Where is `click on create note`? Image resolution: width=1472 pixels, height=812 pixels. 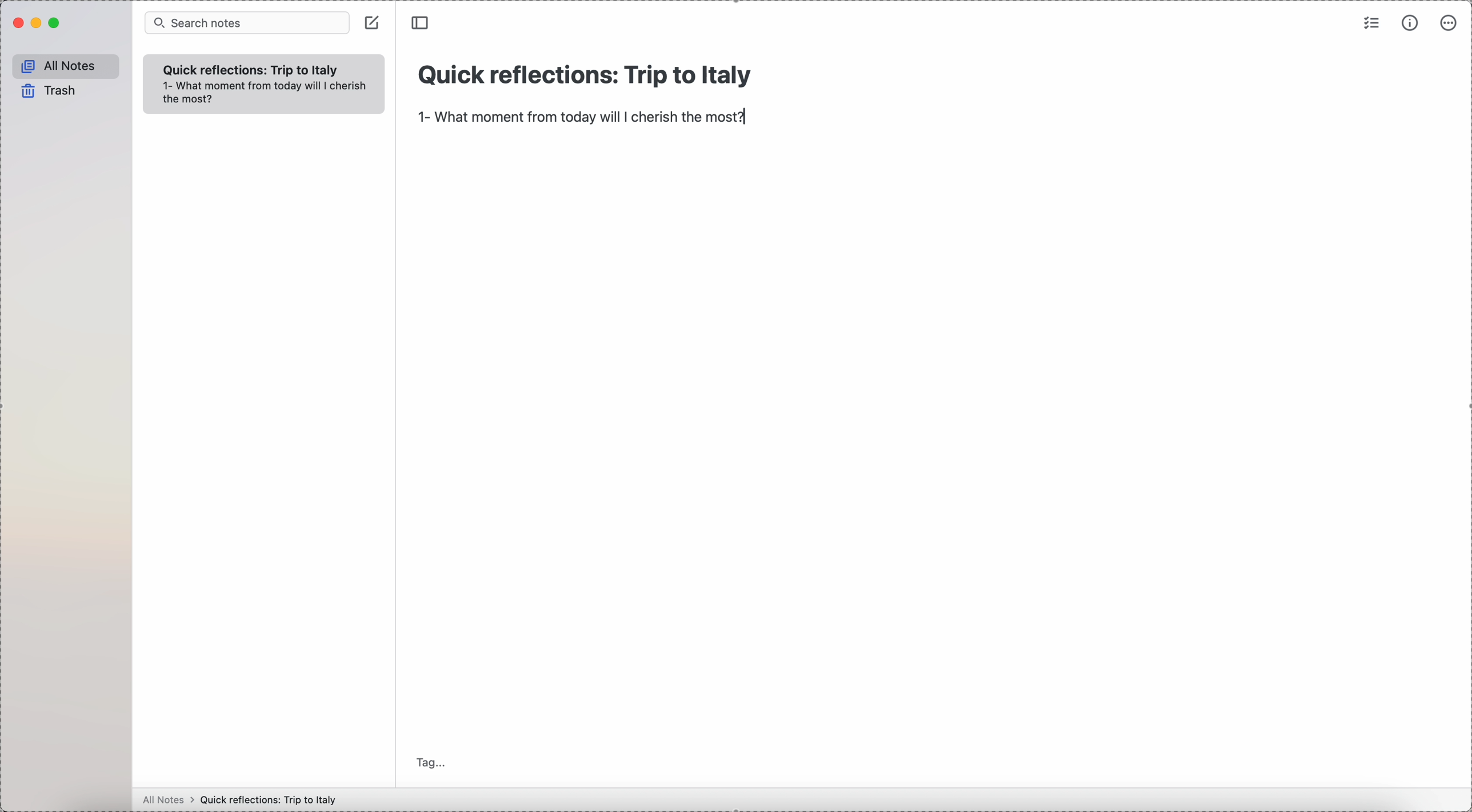
click on create note is located at coordinates (374, 23).